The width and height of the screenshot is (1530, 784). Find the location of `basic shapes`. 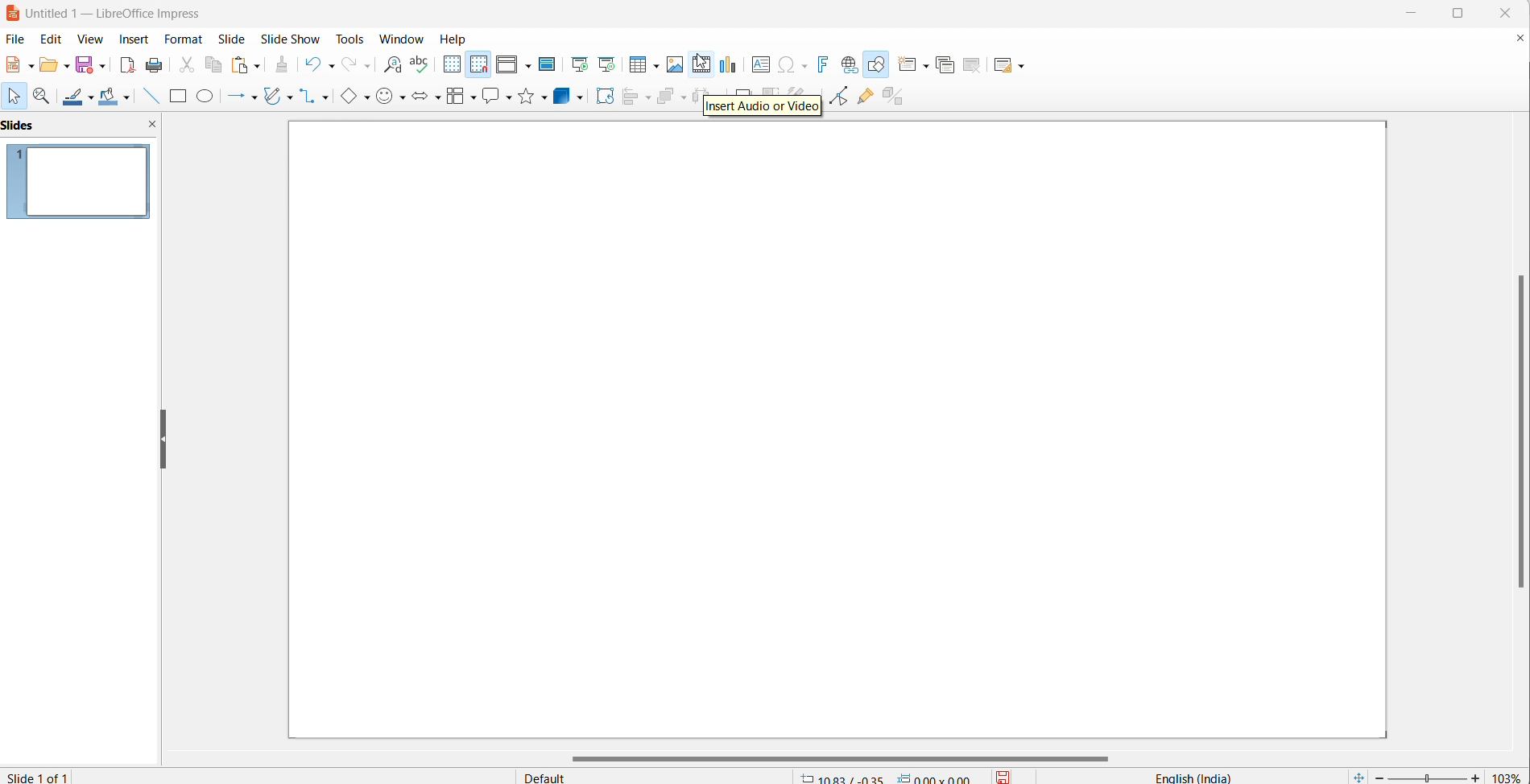

basic shapes is located at coordinates (349, 98).